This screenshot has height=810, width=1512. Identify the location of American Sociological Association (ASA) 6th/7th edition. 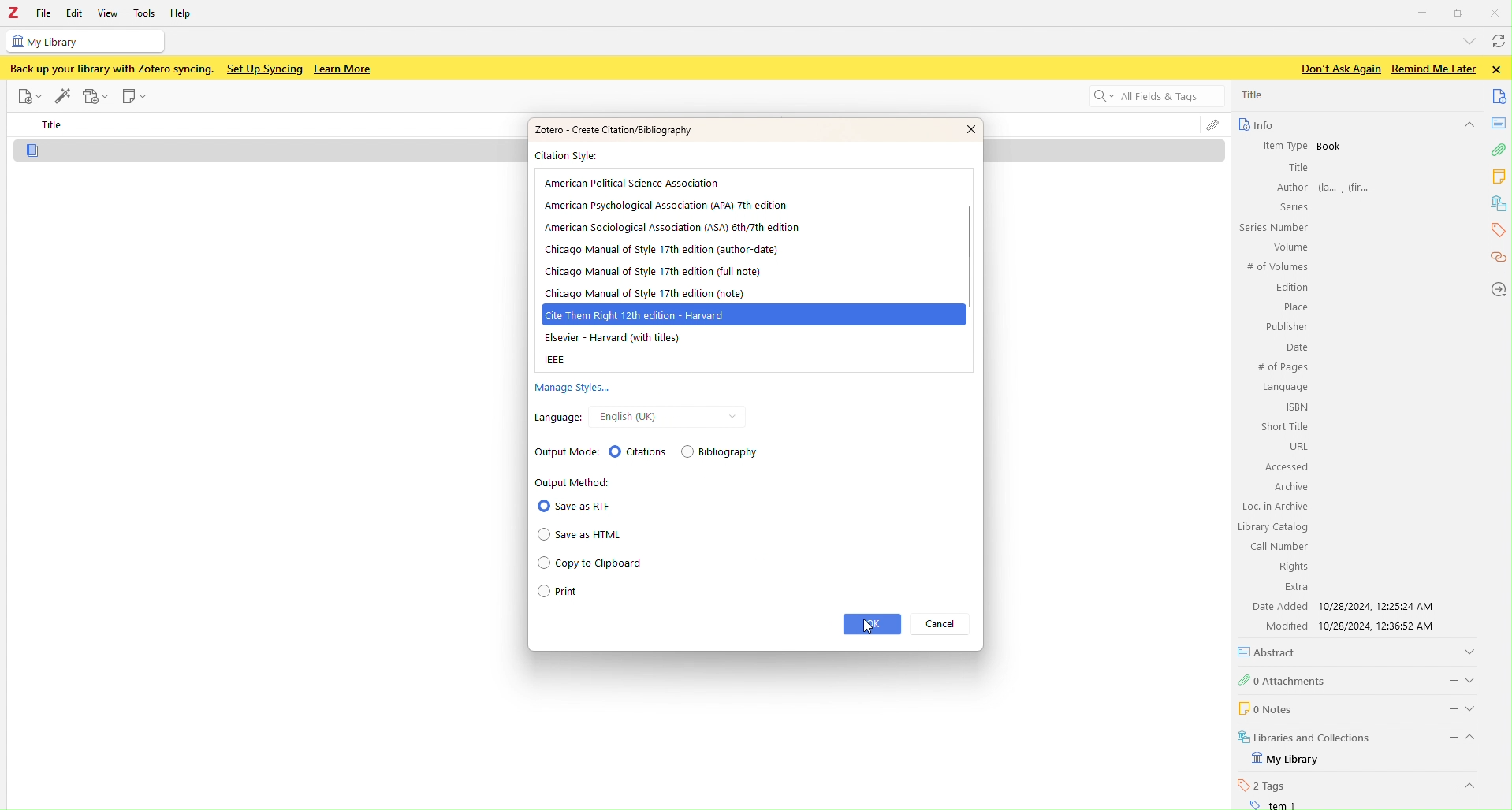
(672, 227).